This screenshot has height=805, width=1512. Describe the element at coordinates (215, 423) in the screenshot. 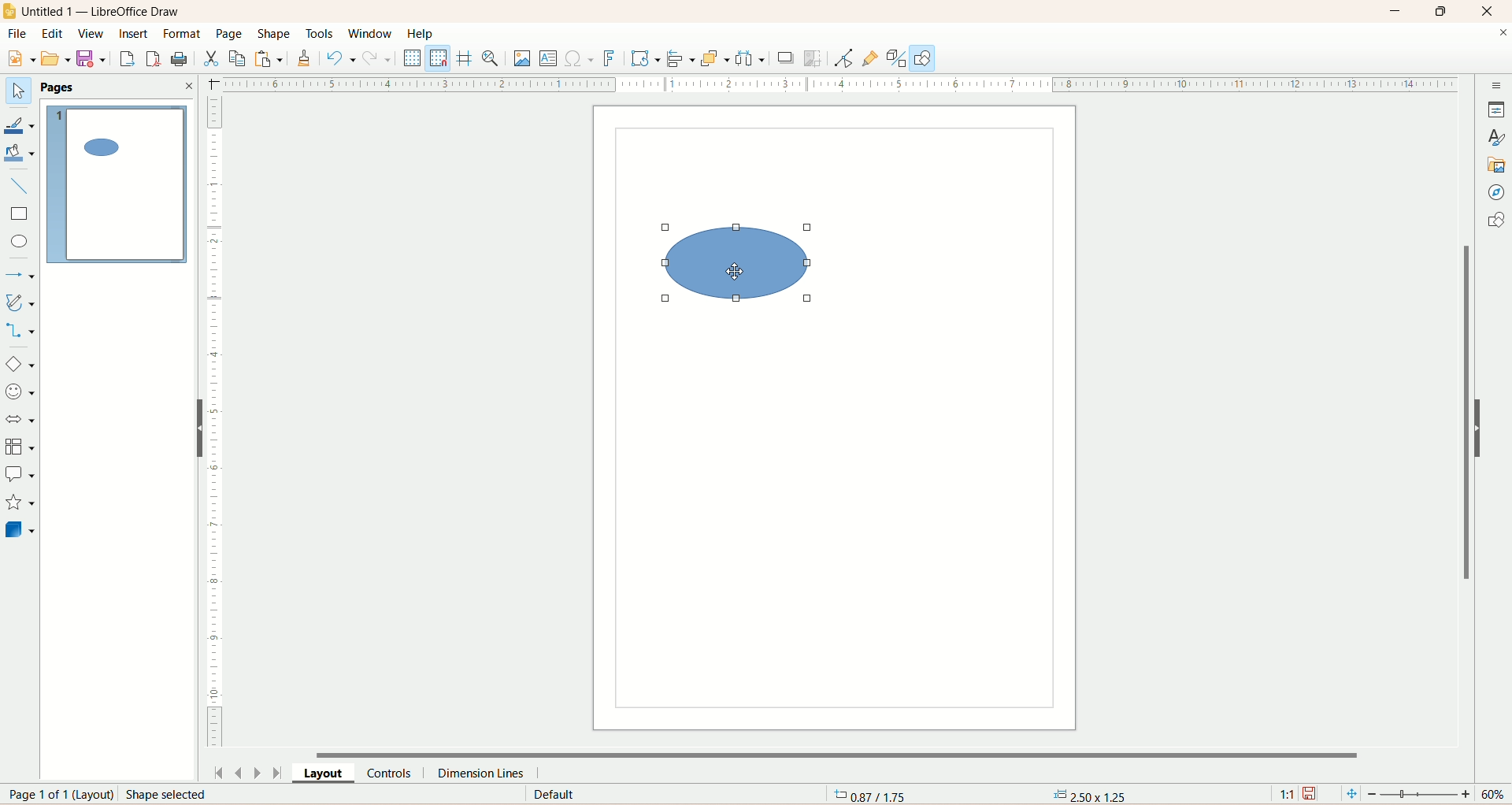

I see `scale bar` at that location.